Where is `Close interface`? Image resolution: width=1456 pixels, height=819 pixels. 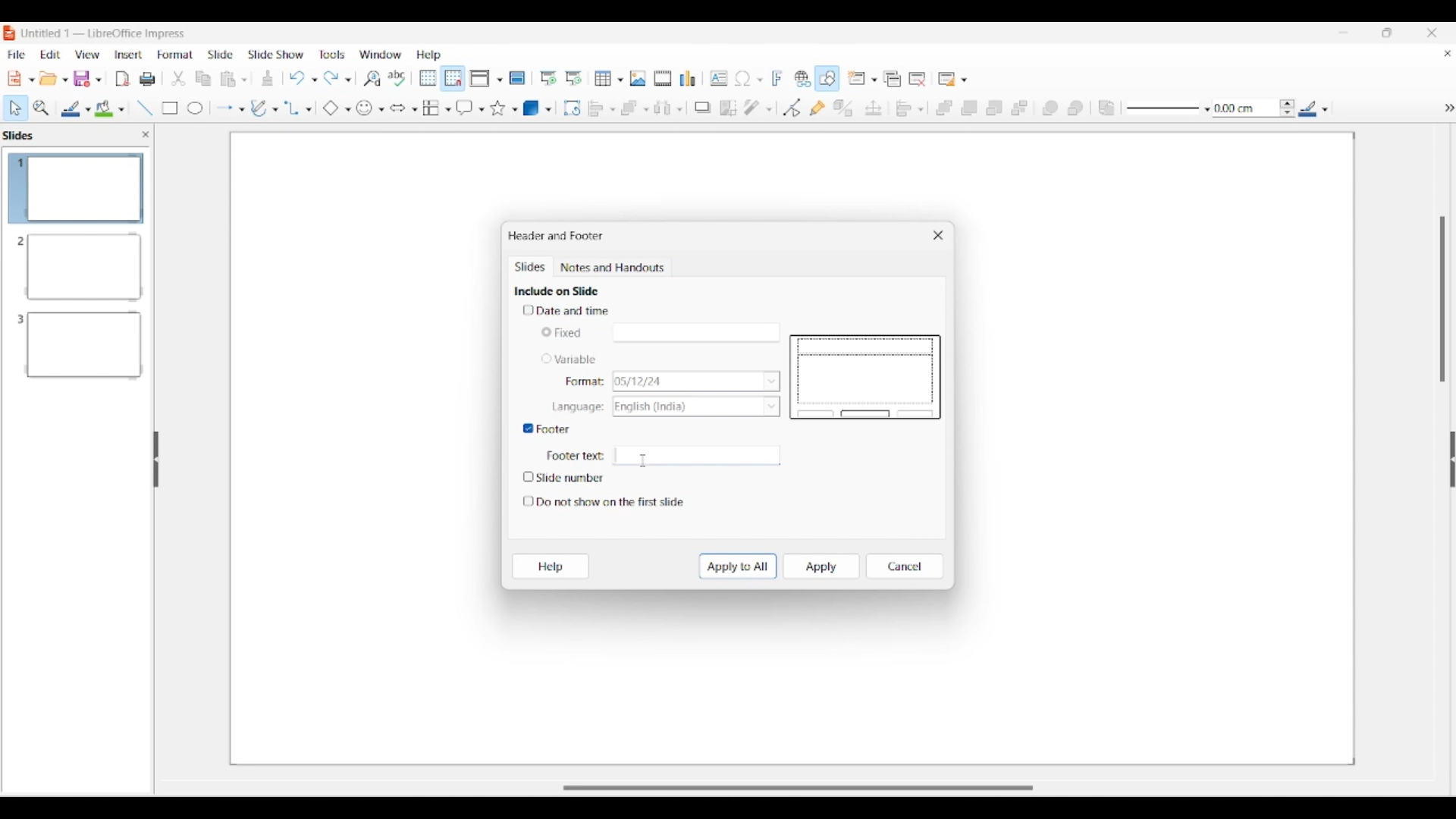 Close interface is located at coordinates (1432, 33).